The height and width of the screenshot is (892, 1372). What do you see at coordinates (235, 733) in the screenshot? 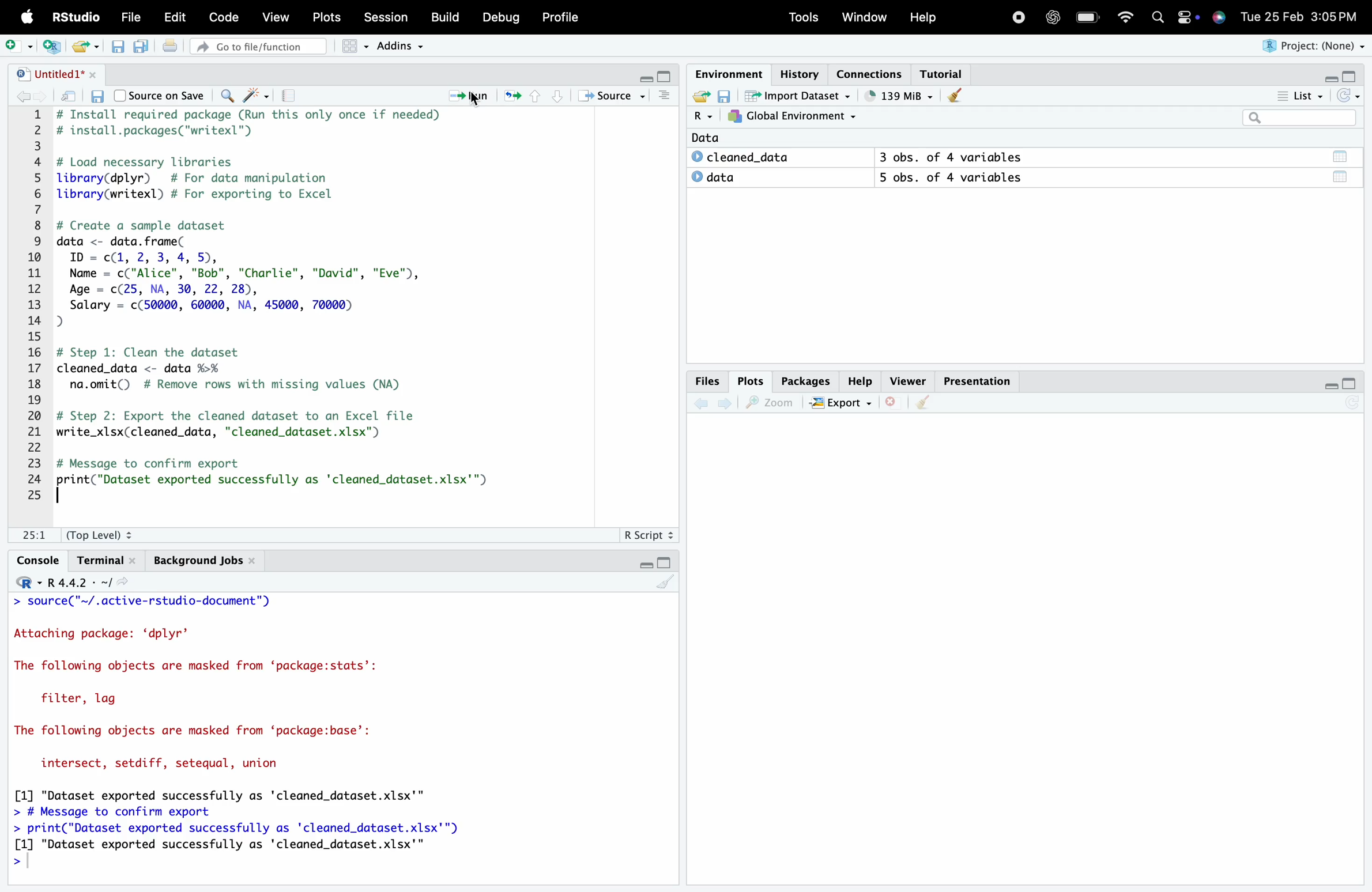
I see `> source( ~/.active-rstudio-aocument )

Attaching package: ‘dplyr’

The following objects are masked from ‘package:stats’:
filter, lag

The following objects are masked from ‘package:base’:
intersect, setdiff, setequal, union

[1] "Dataset exported successfully as 'cleaned_dataset.xlsx'"

> # Message to confirm export

> print("Dataset exported successfully as 'cleaned_dataset.xlsx'")

[1] "Dataset exported successfully as 'cleaned_dataset.xlsx'"

>` at bounding box center [235, 733].